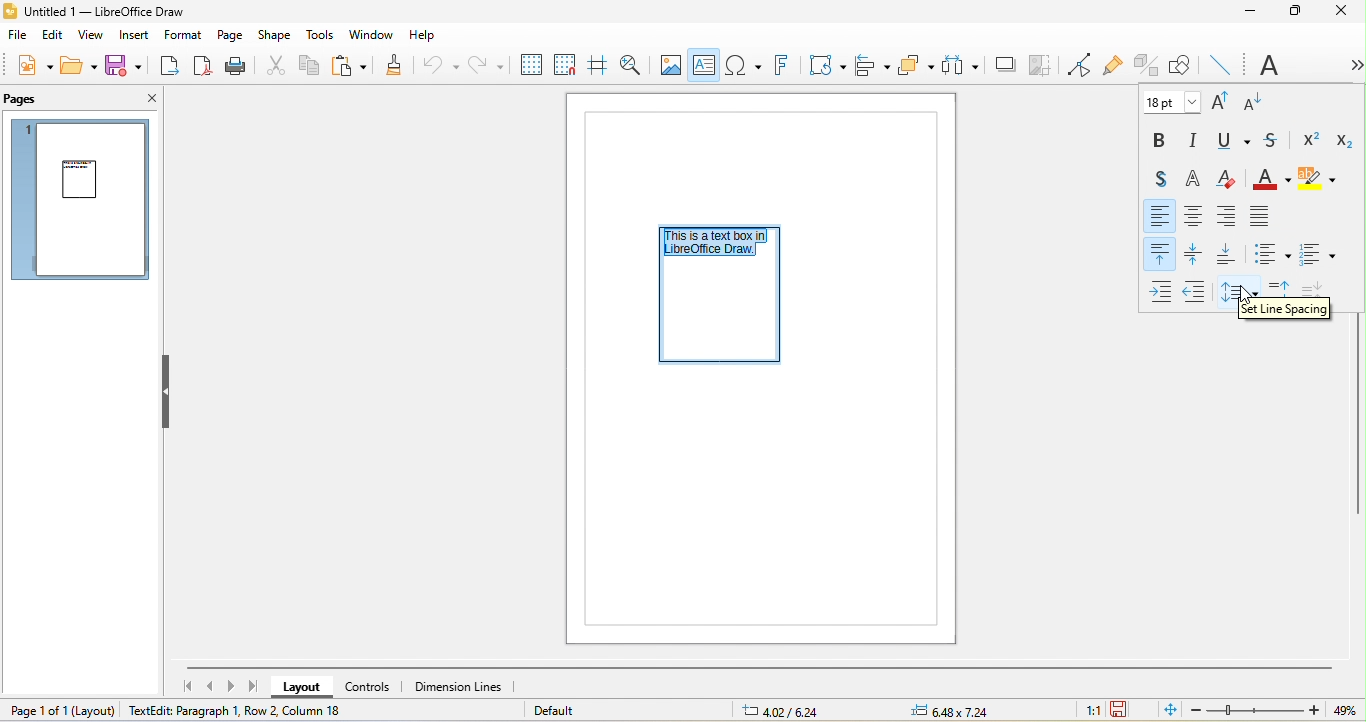 This screenshot has width=1366, height=722. I want to click on pages, so click(26, 98).